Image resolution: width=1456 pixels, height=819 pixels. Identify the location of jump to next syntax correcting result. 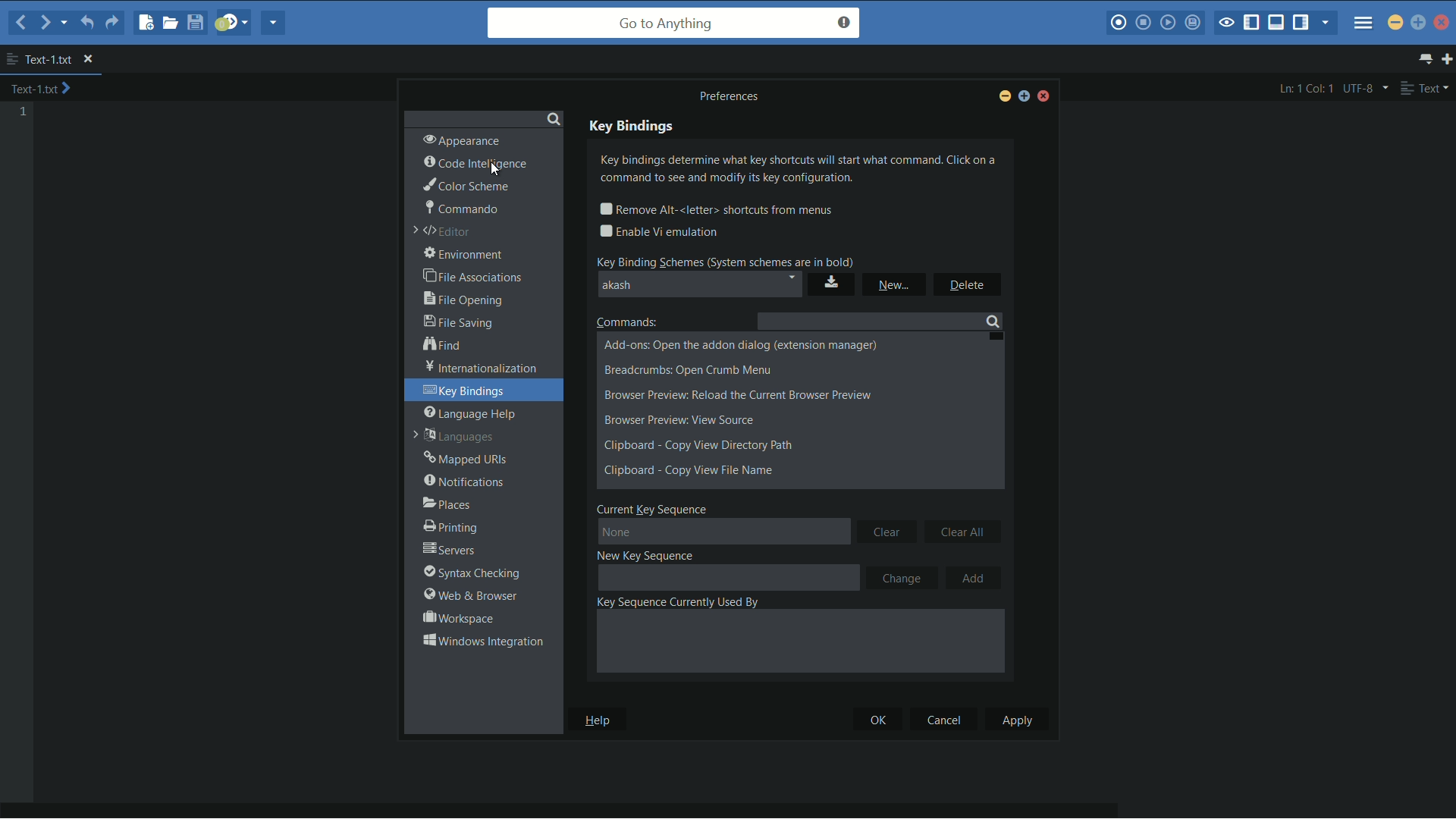
(233, 23).